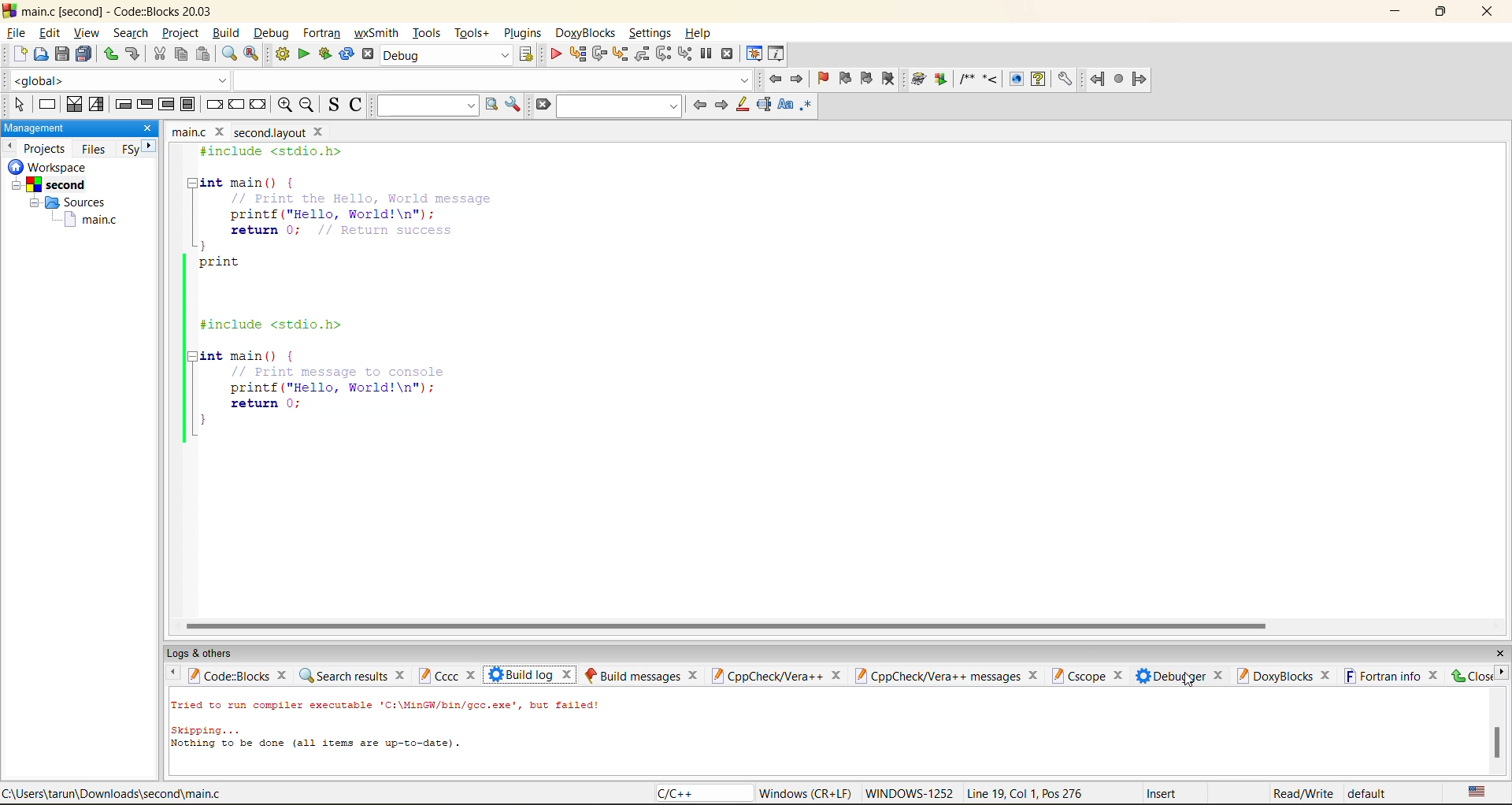 Image resolution: width=1512 pixels, height=805 pixels. What do you see at coordinates (348, 52) in the screenshot?
I see `rebuild` at bounding box center [348, 52].